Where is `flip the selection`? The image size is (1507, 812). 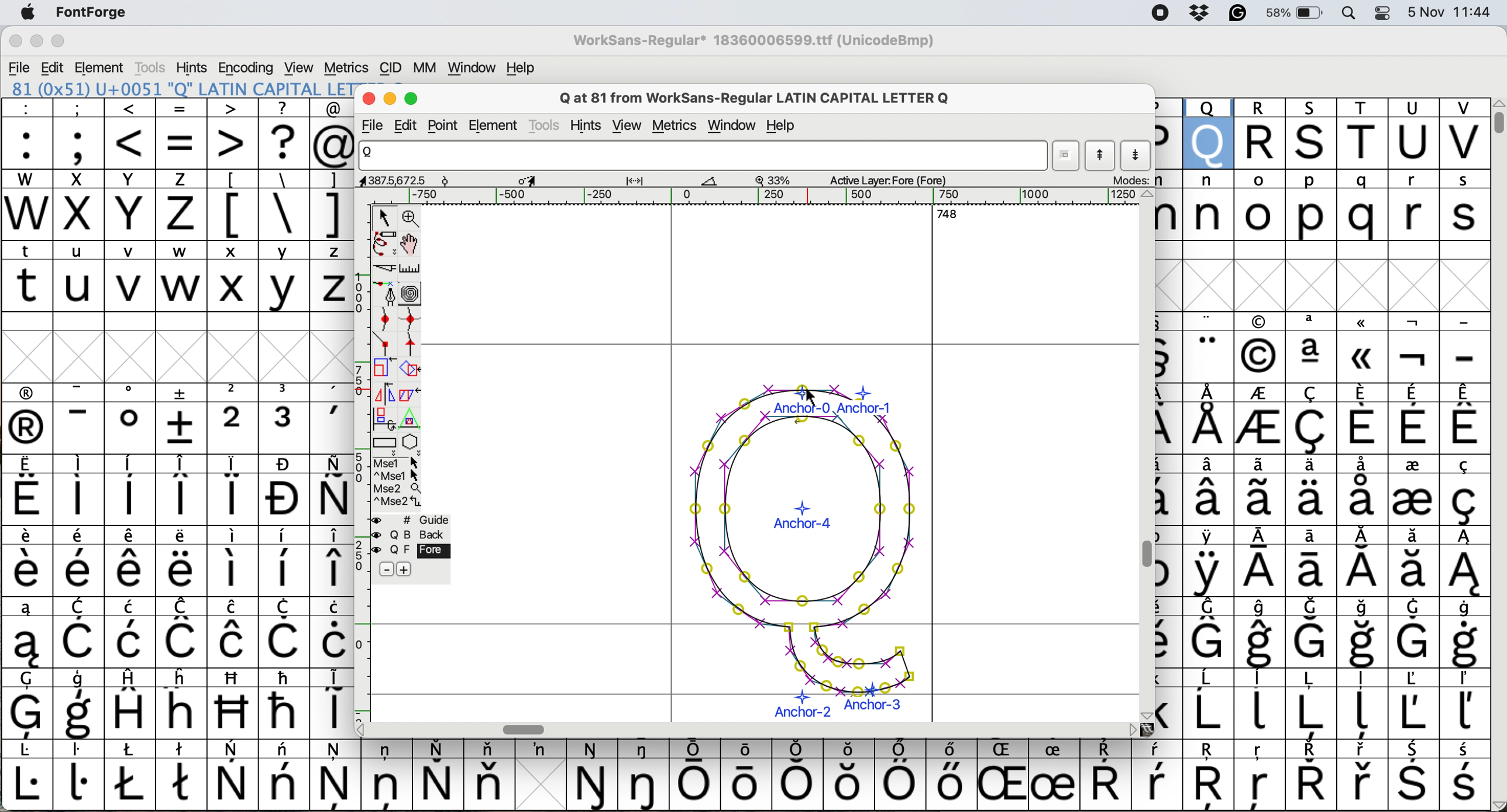
flip the selection is located at coordinates (384, 394).